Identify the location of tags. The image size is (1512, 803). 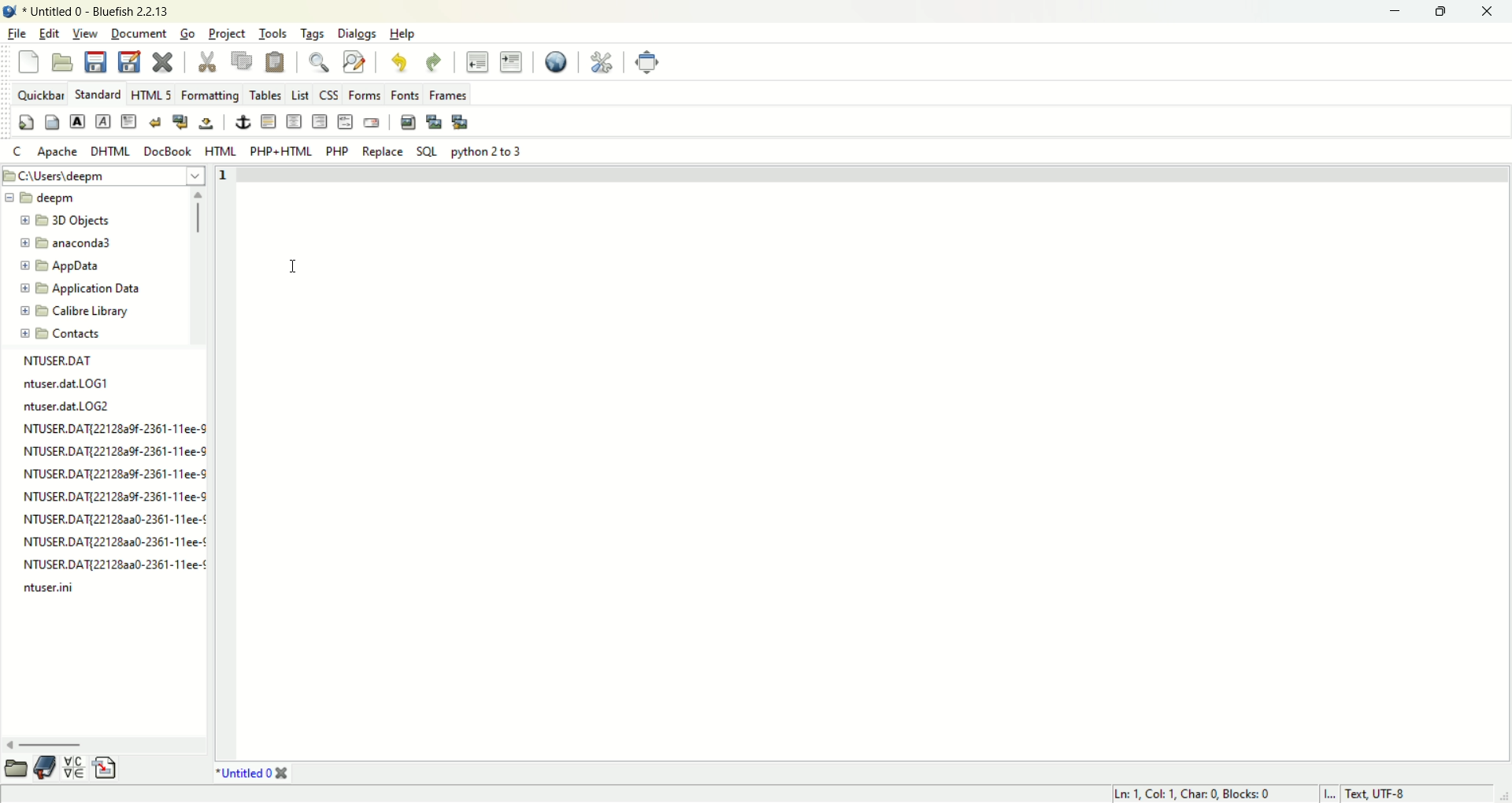
(312, 34).